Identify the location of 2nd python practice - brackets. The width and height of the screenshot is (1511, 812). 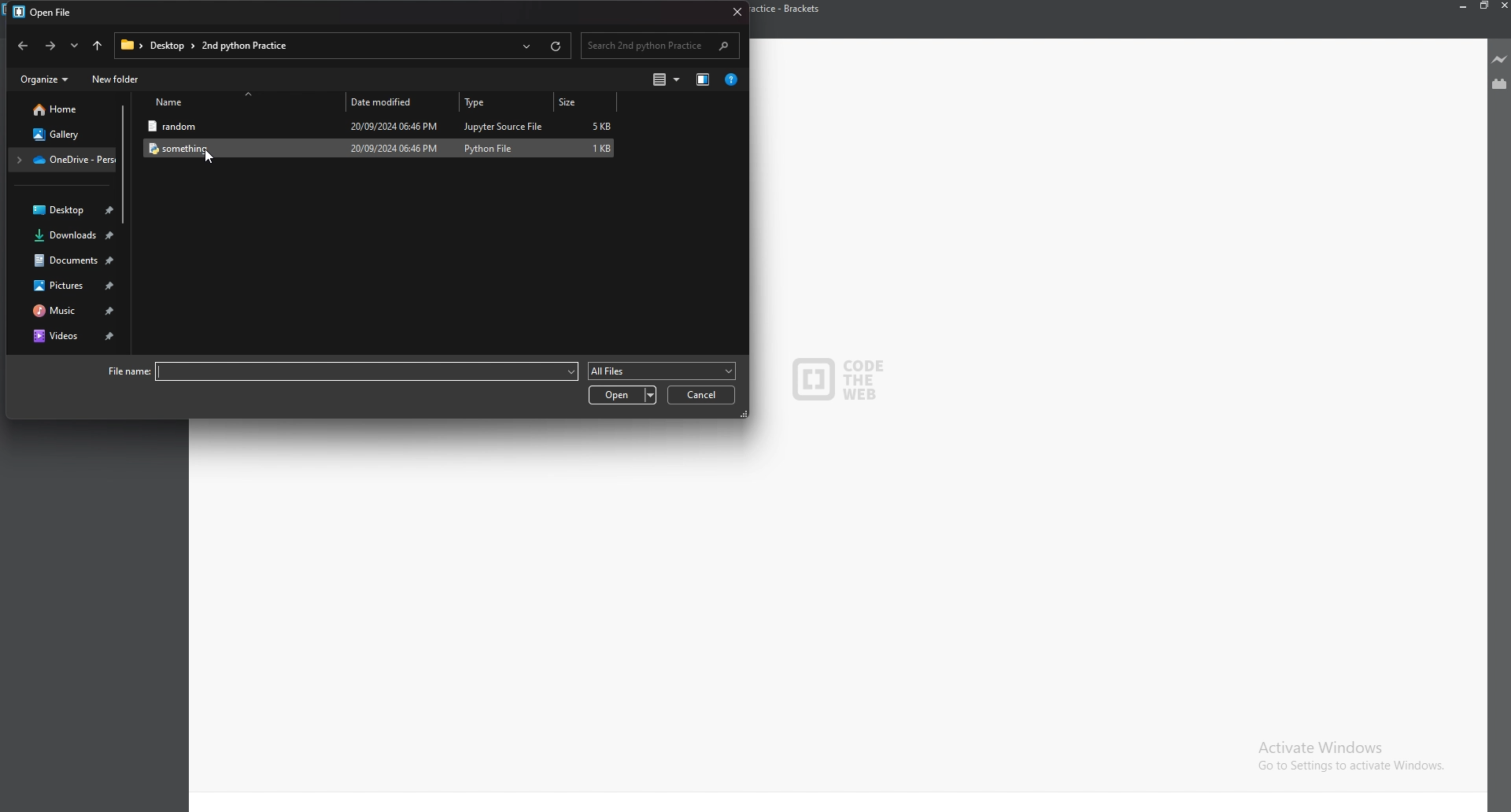
(793, 9).